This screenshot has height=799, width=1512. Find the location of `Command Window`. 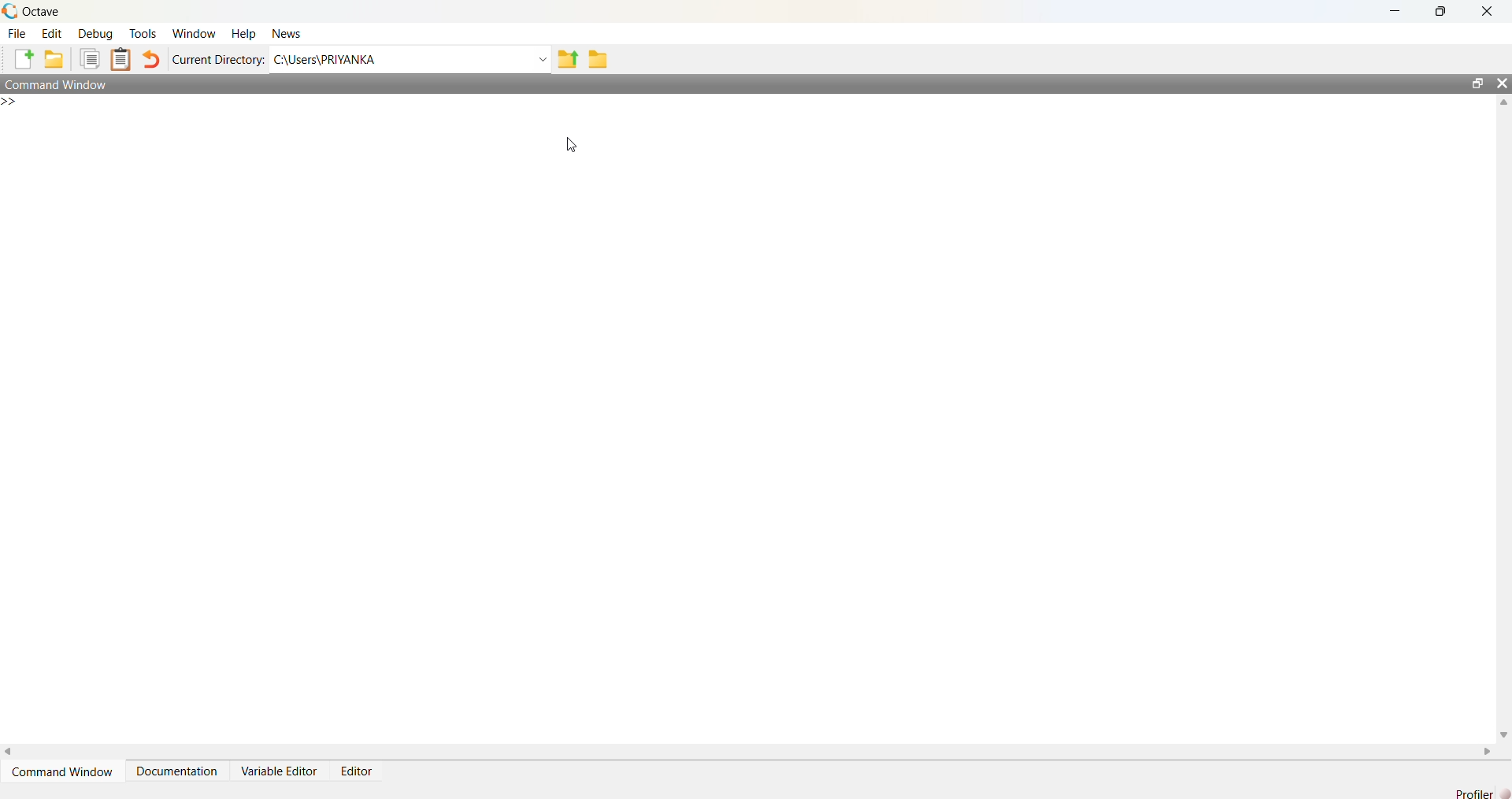

Command Window is located at coordinates (61, 82).